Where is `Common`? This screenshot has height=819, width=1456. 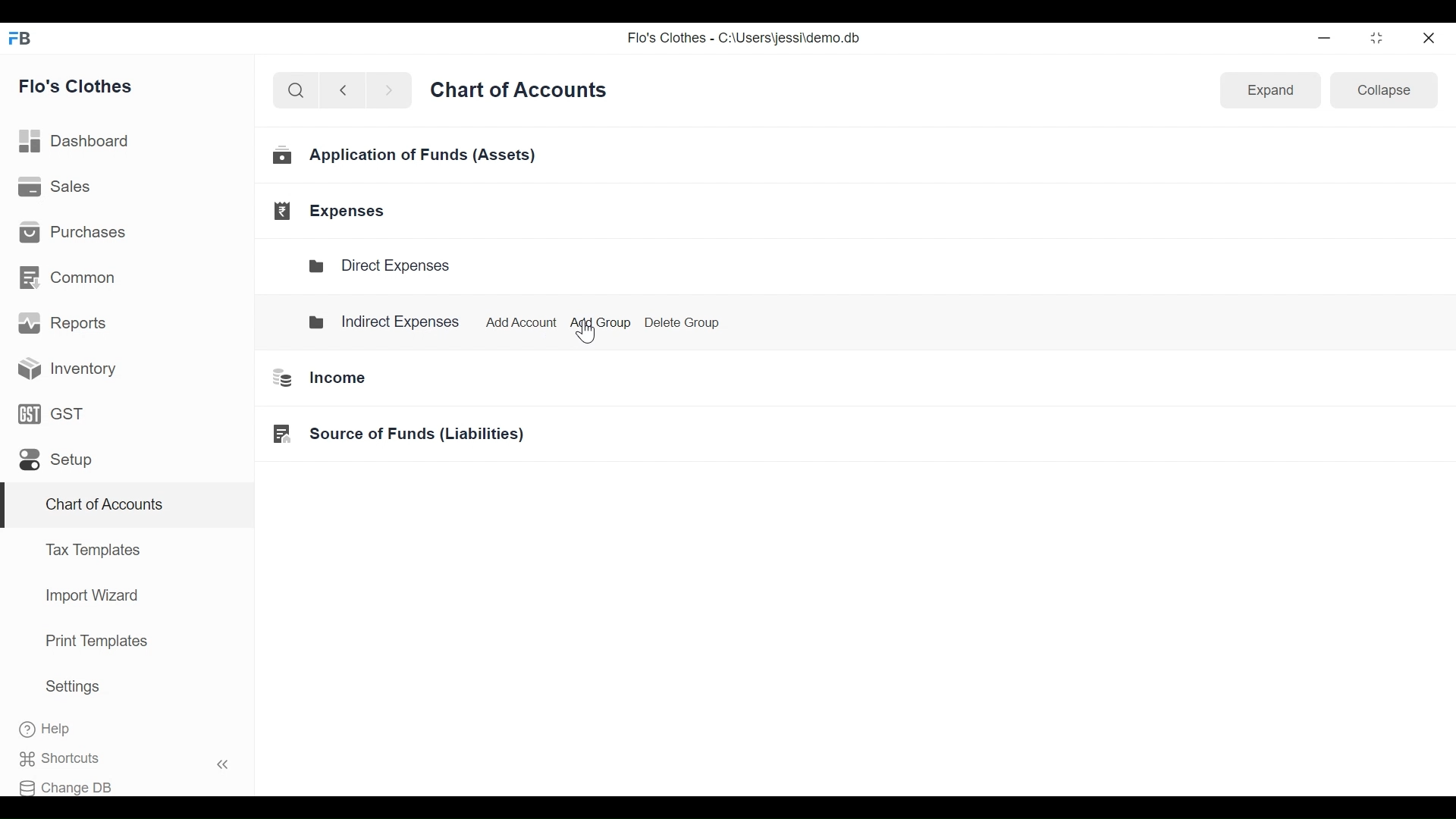 Common is located at coordinates (69, 276).